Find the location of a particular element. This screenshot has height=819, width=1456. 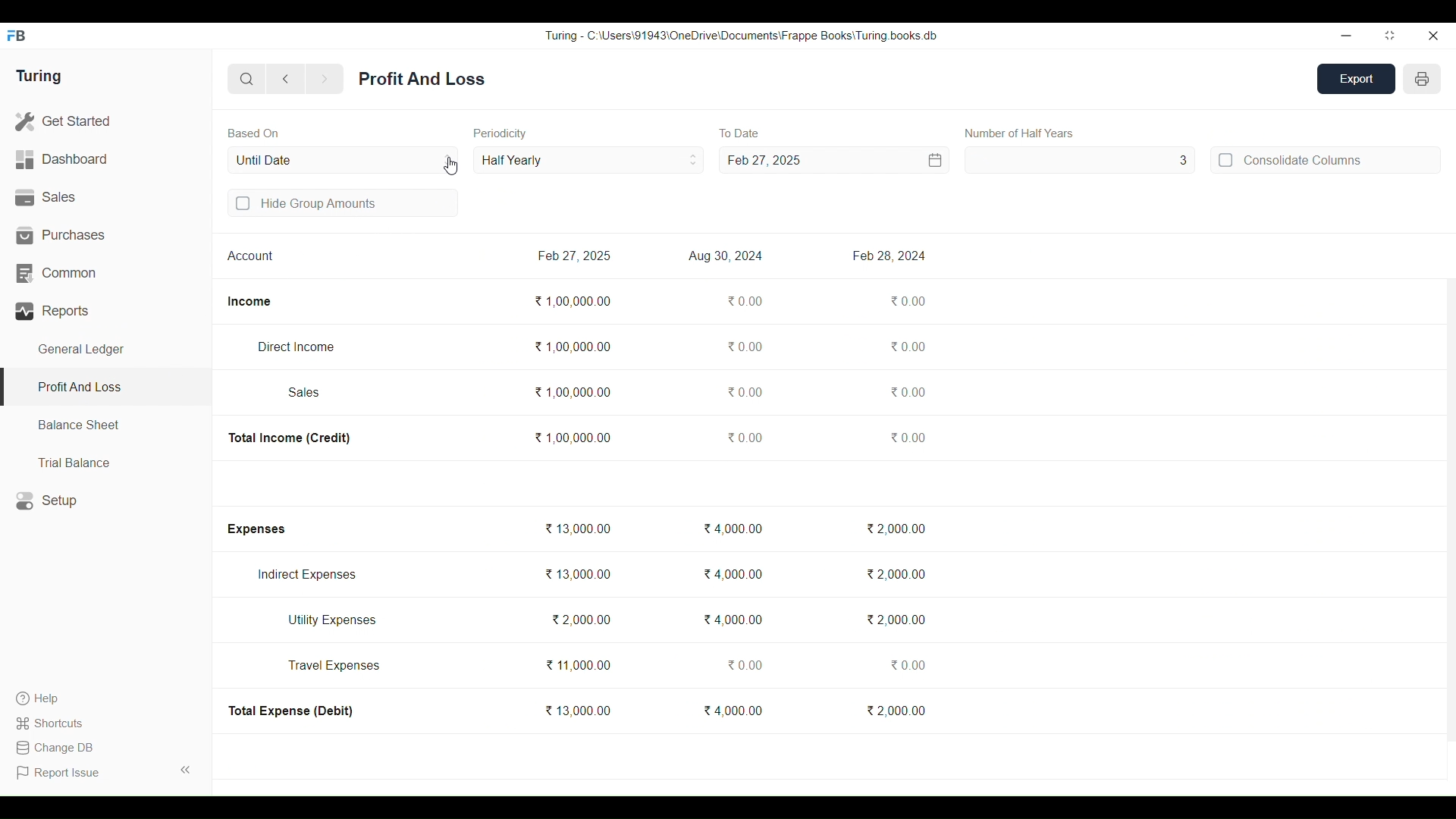

Income is located at coordinates (249, 302).